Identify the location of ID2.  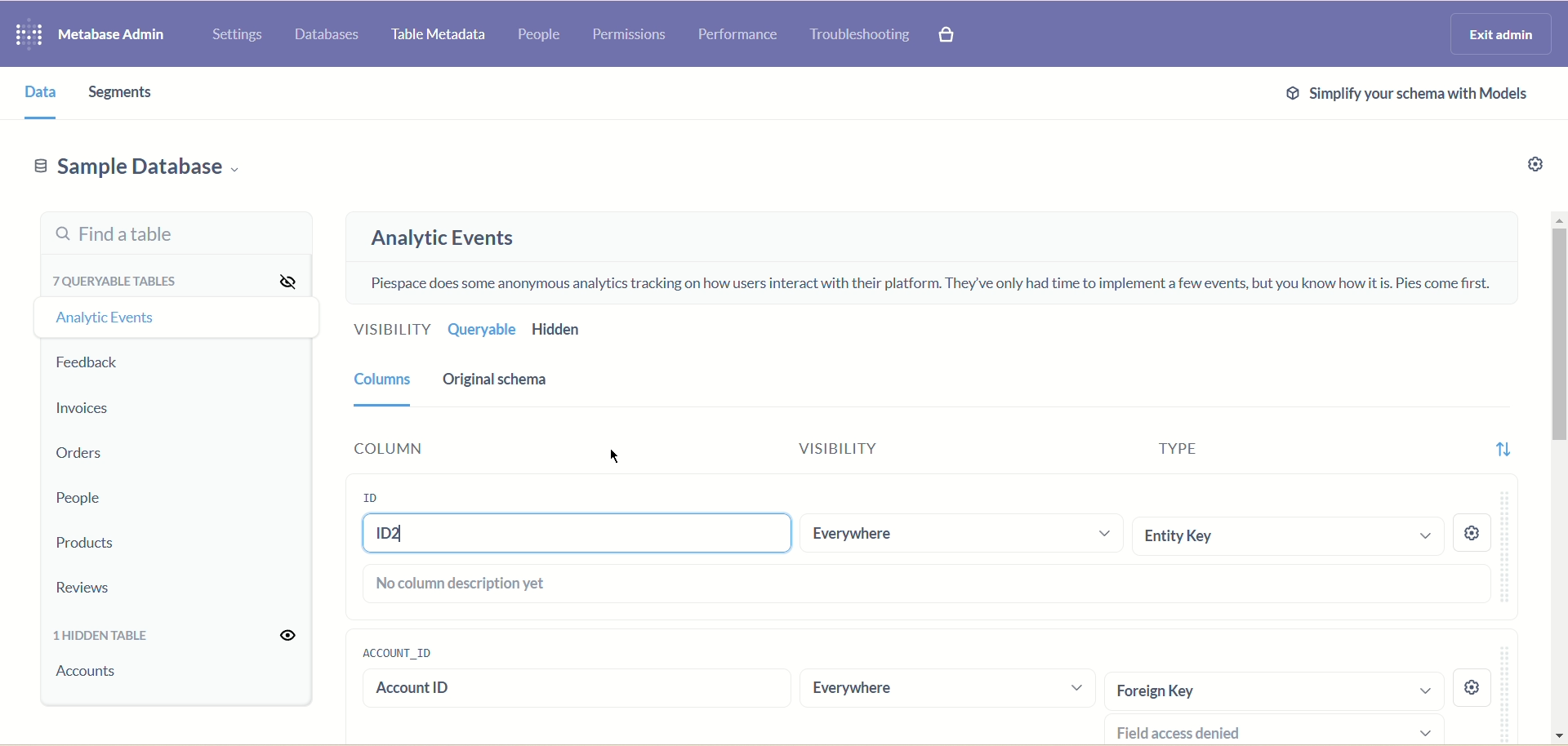
(575, 534).